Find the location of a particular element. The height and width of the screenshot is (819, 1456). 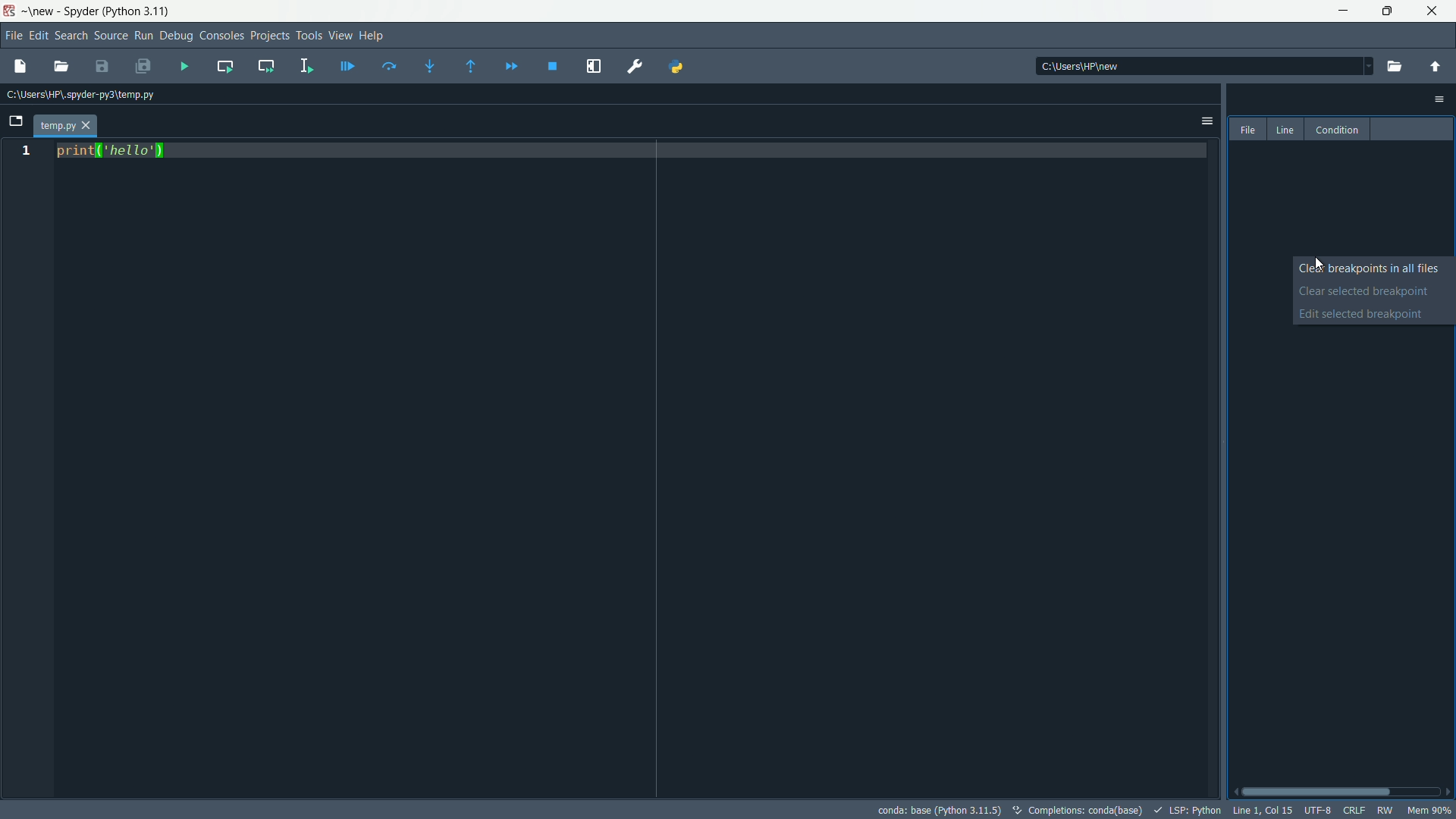

parent directory is located at coordinates (1436, 67).